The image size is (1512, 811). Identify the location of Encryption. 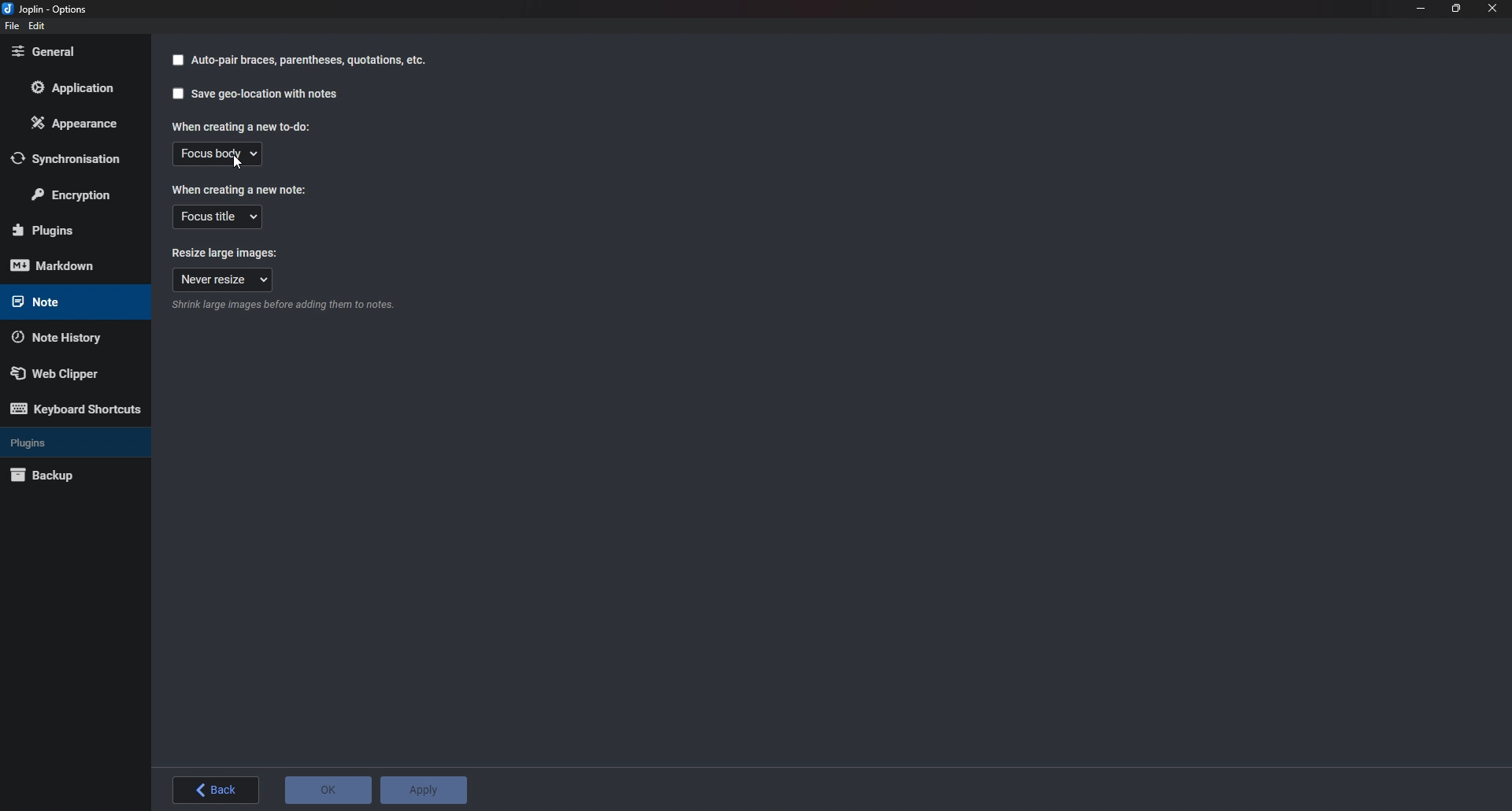
(76, 193).